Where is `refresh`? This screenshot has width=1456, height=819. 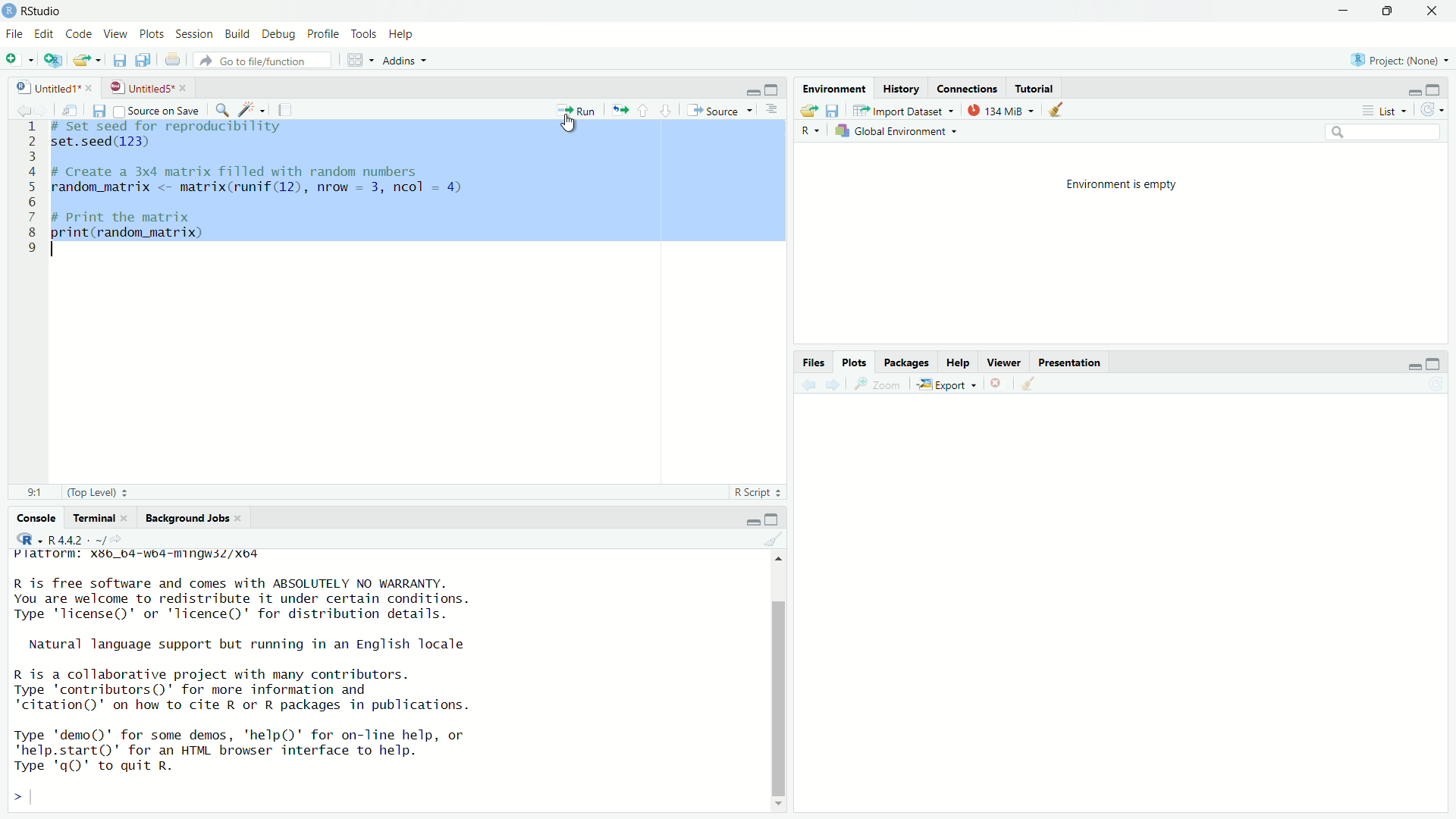
refresh is located at coordinates (1436, 111).